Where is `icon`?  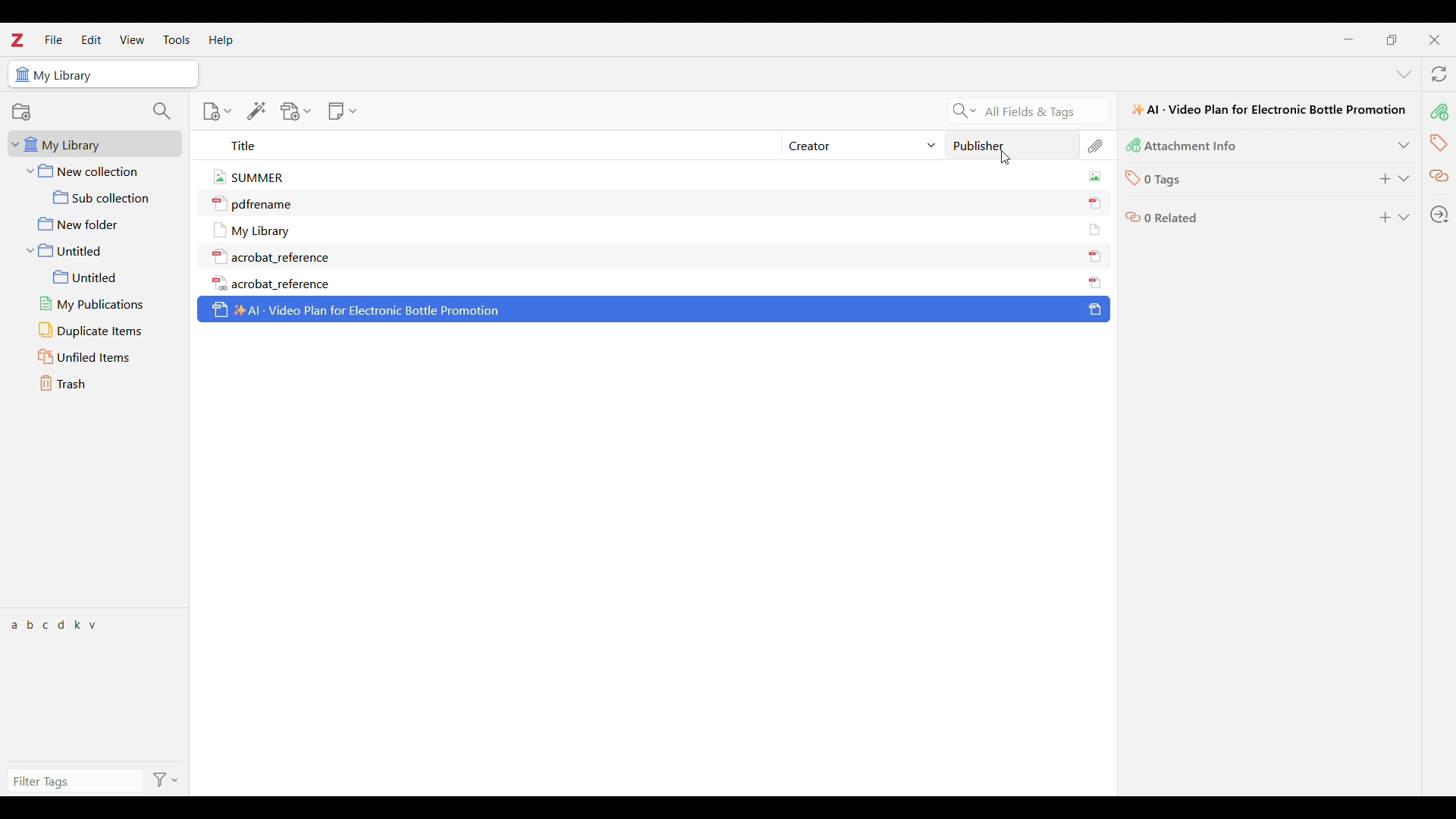 icon is located at coordinates (1094, 255).